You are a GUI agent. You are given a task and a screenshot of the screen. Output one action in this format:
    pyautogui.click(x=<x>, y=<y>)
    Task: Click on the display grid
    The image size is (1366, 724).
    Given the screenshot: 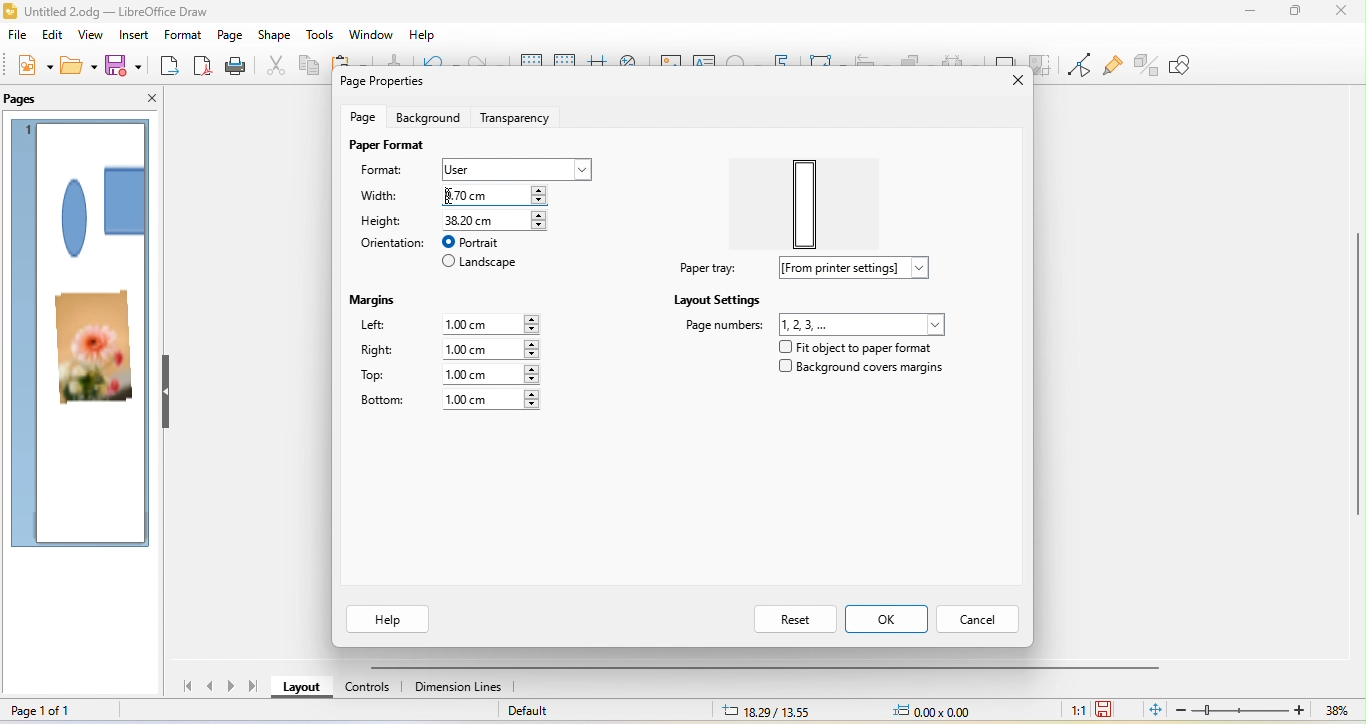 What is the action you would take?
    pyautogui.click(x=528, y=63)
    